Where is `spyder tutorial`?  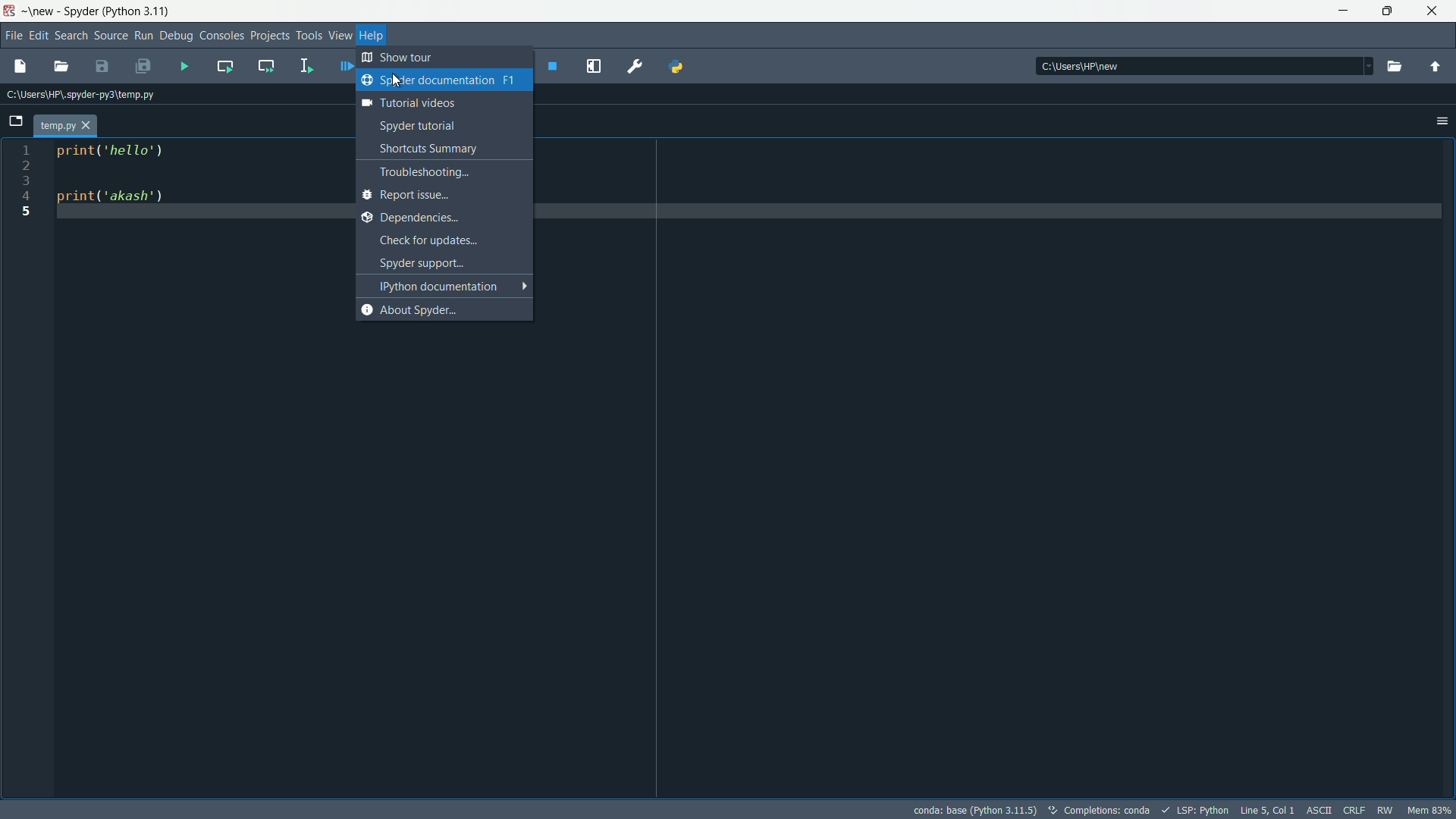 spyder tutorial is located at coordinates (442, 126).